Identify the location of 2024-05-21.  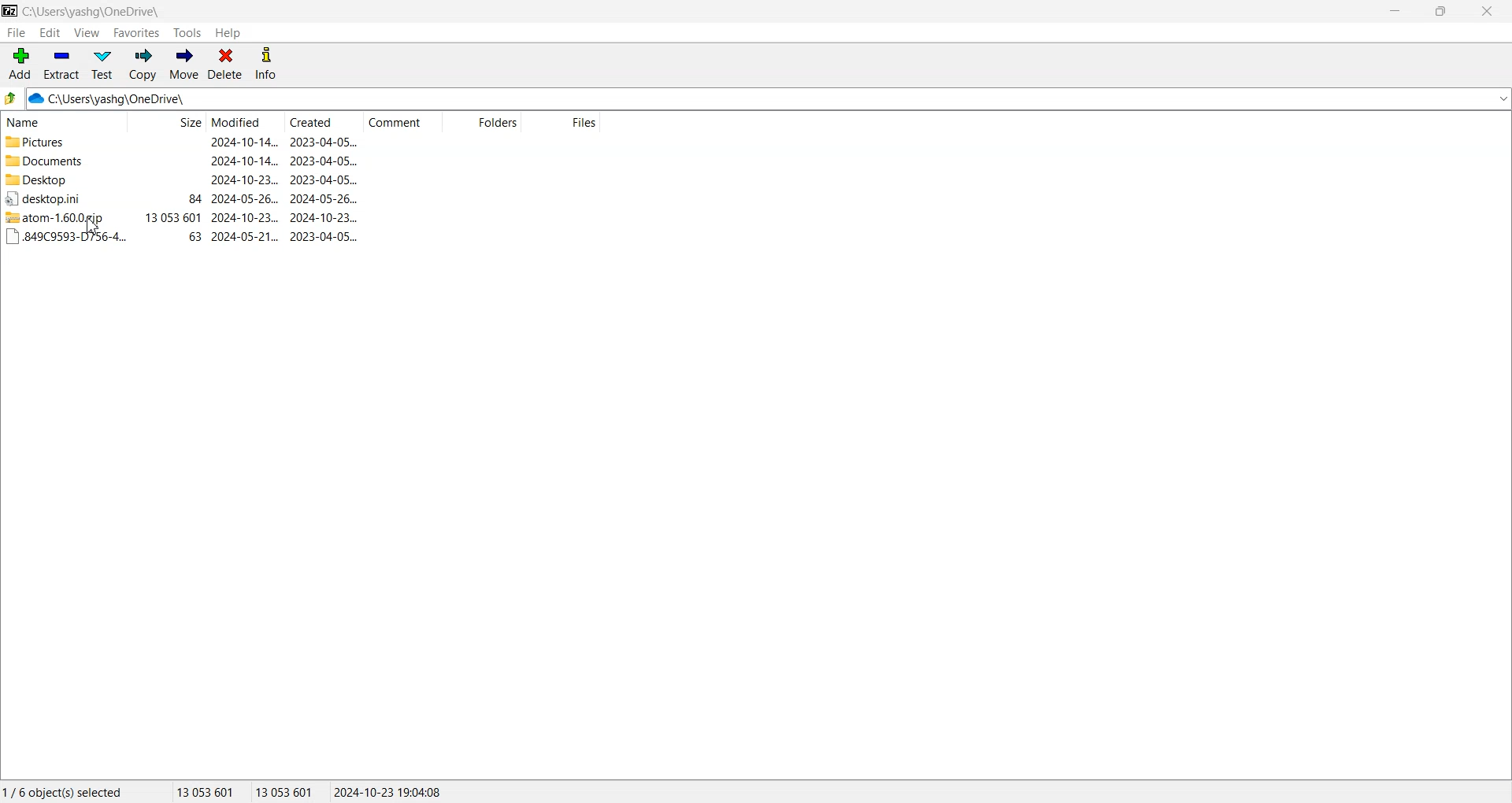
(246, 237).